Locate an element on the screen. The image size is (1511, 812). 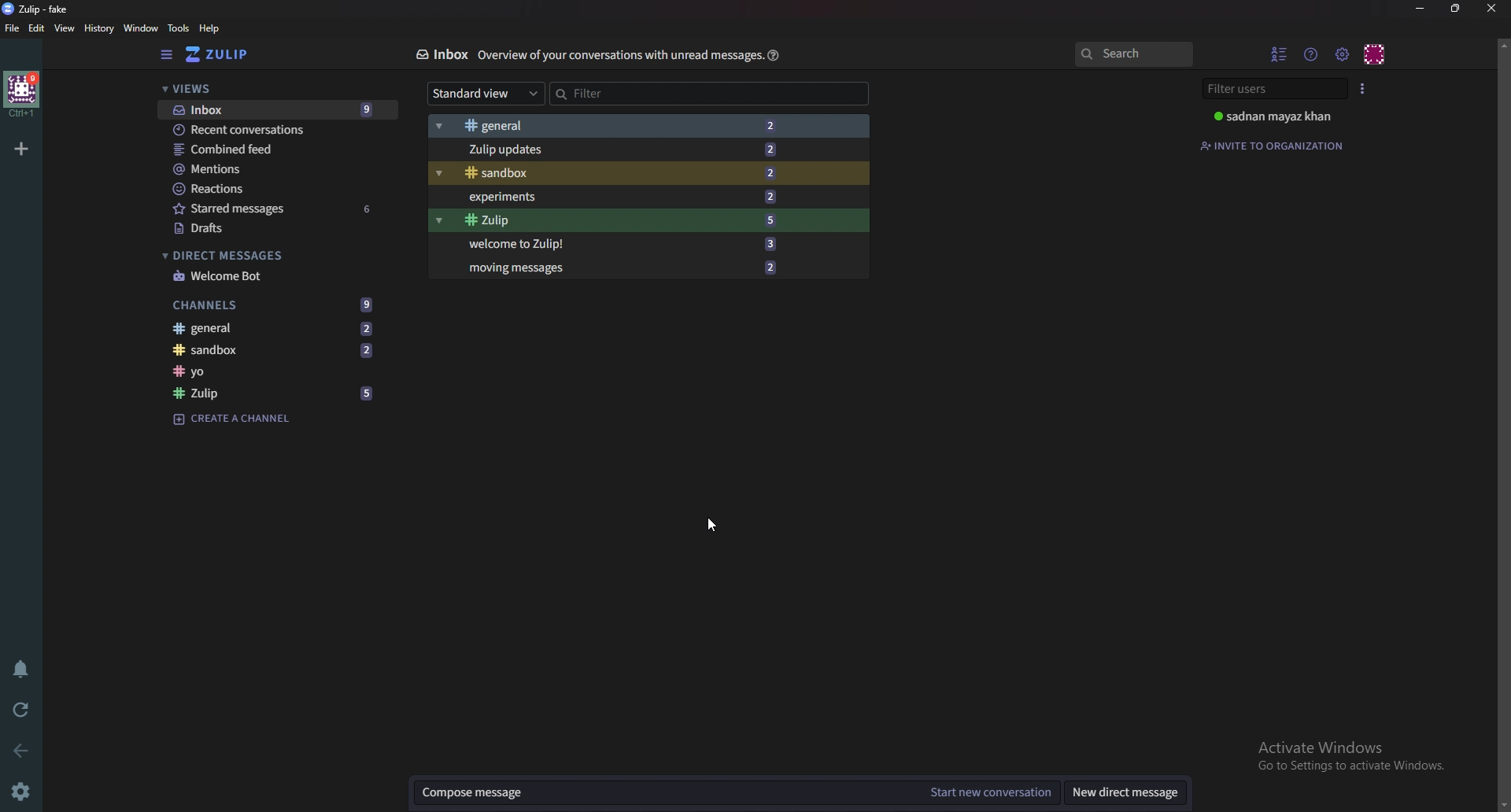
Cursor is located at coordinates (710, 525).